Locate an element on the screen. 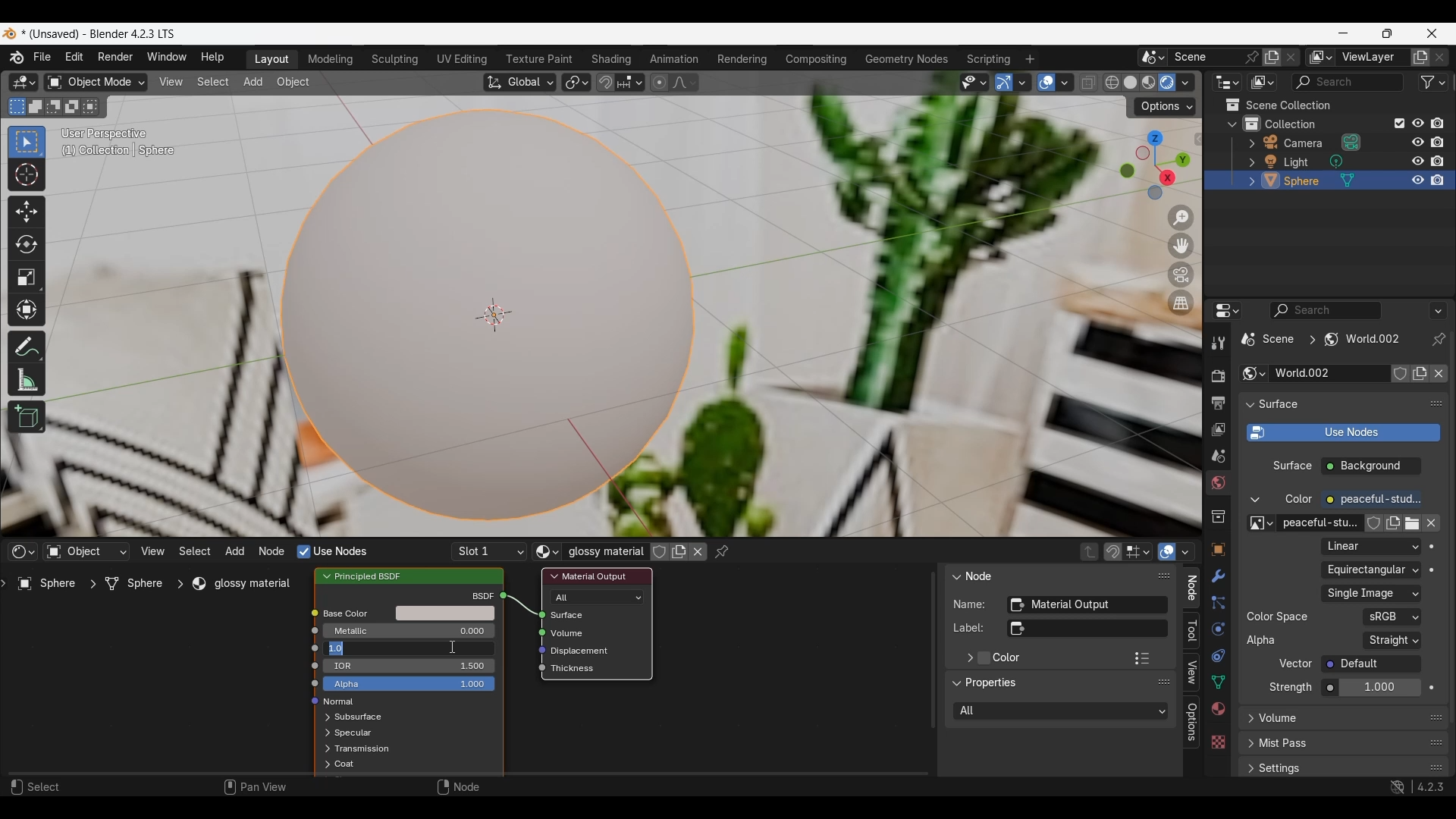 The image size is (1456, 819). Viewport shading: material preview is located at coordinates (1149, 83).